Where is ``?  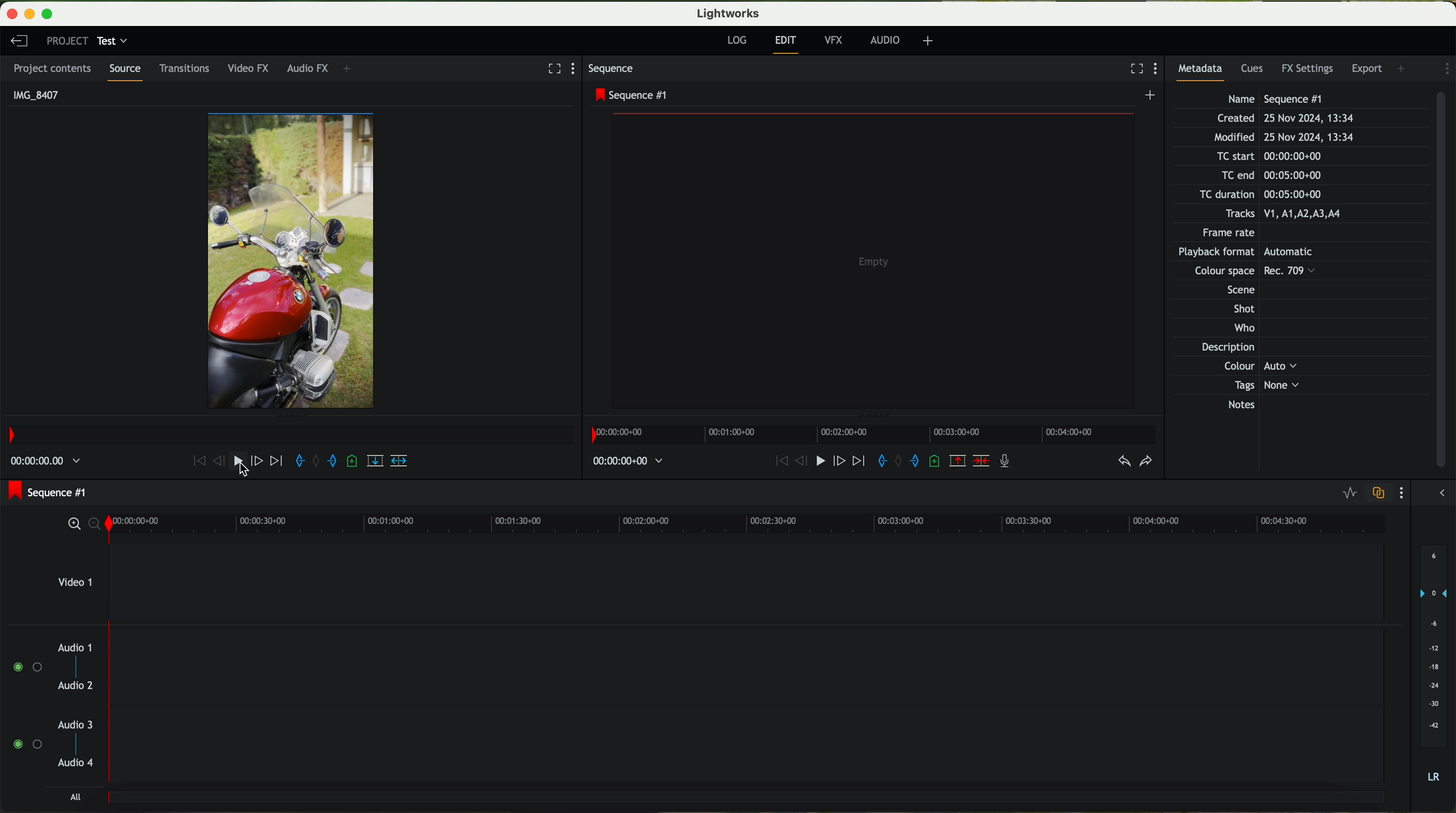  is located at coordinates (1256, 253).